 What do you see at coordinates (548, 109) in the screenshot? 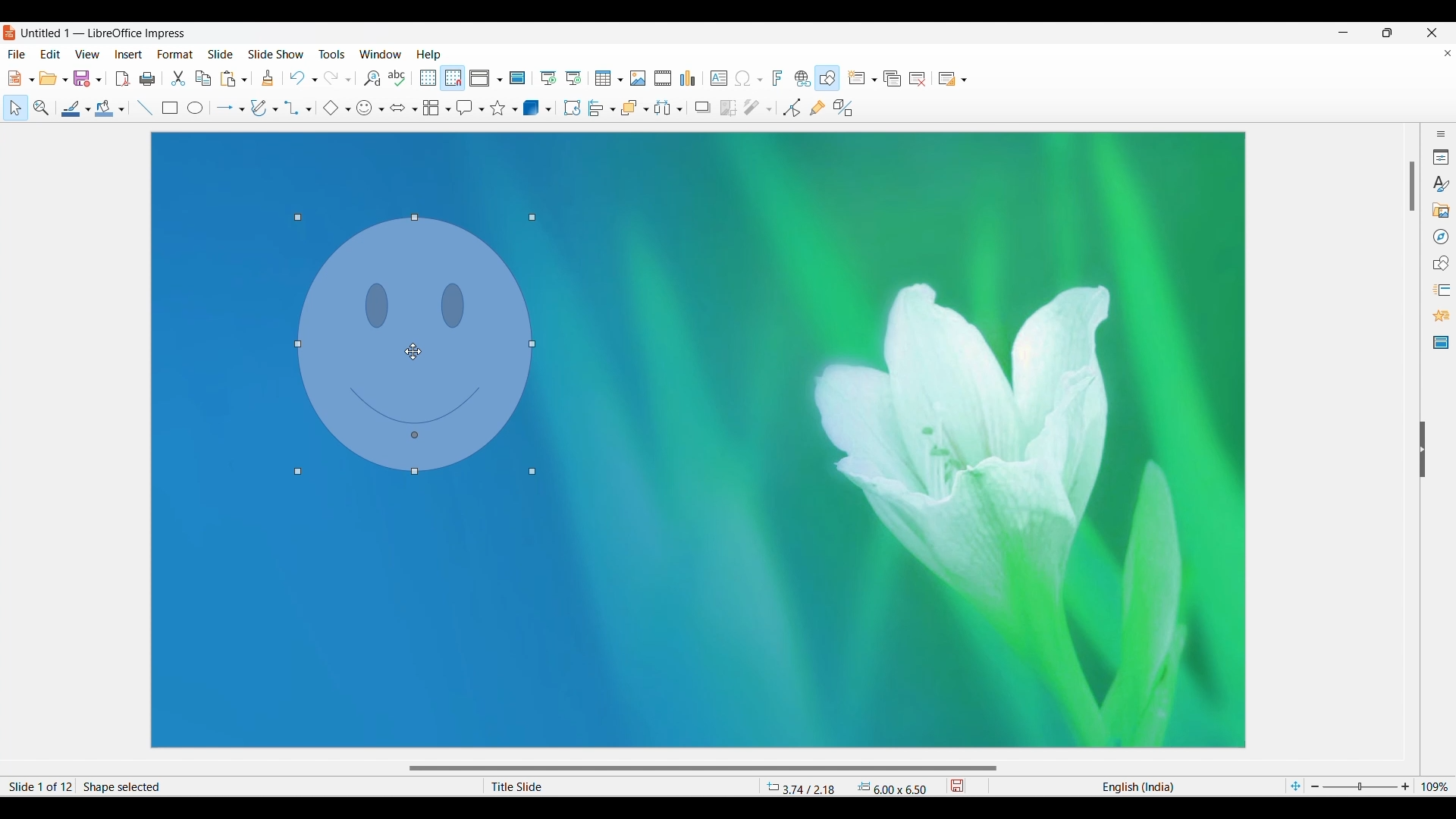
I see `3D shape options` at bounding box center [548, 109].